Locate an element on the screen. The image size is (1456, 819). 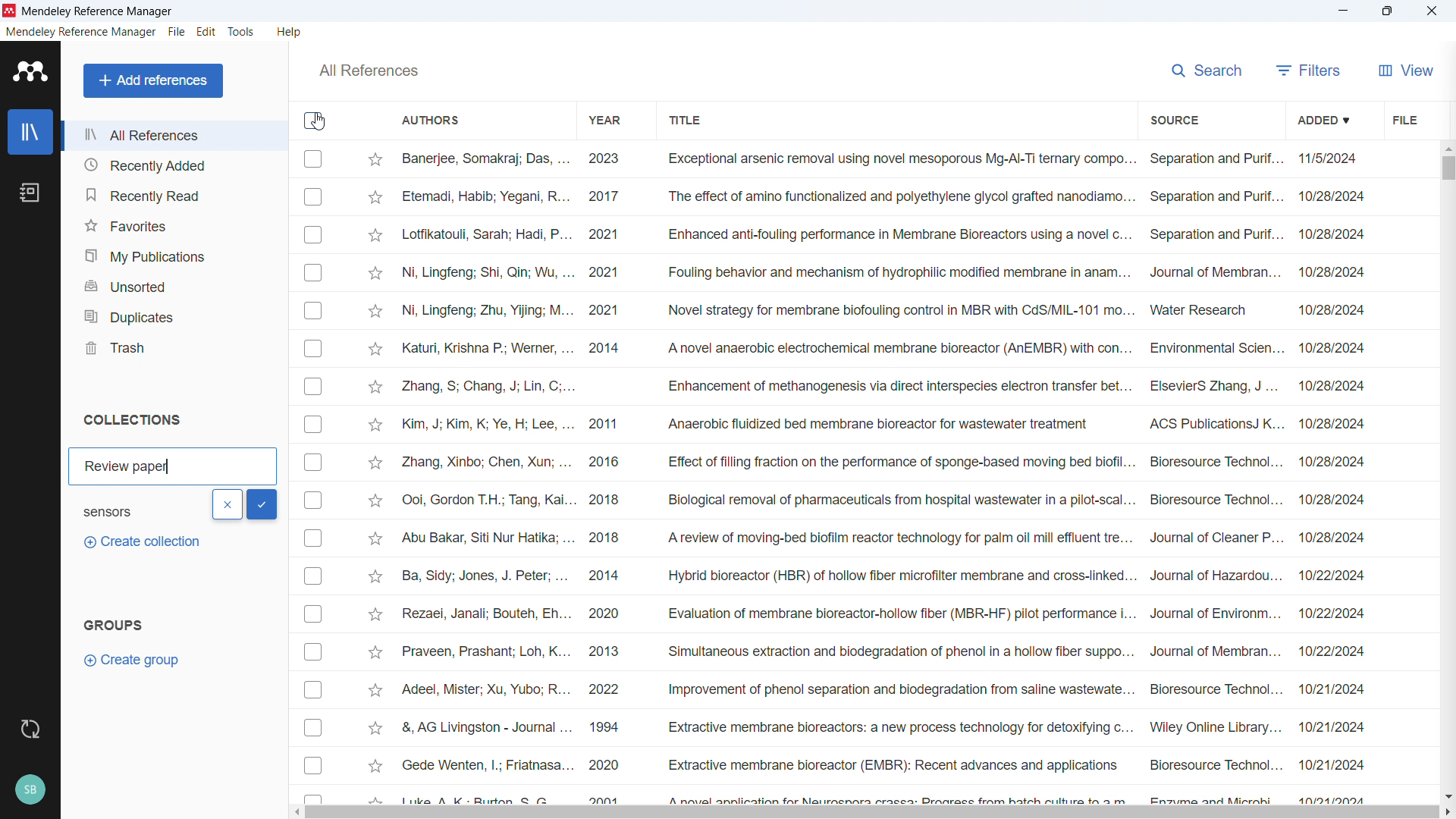
Star mark respective publication is located at coordinates (376, 615).